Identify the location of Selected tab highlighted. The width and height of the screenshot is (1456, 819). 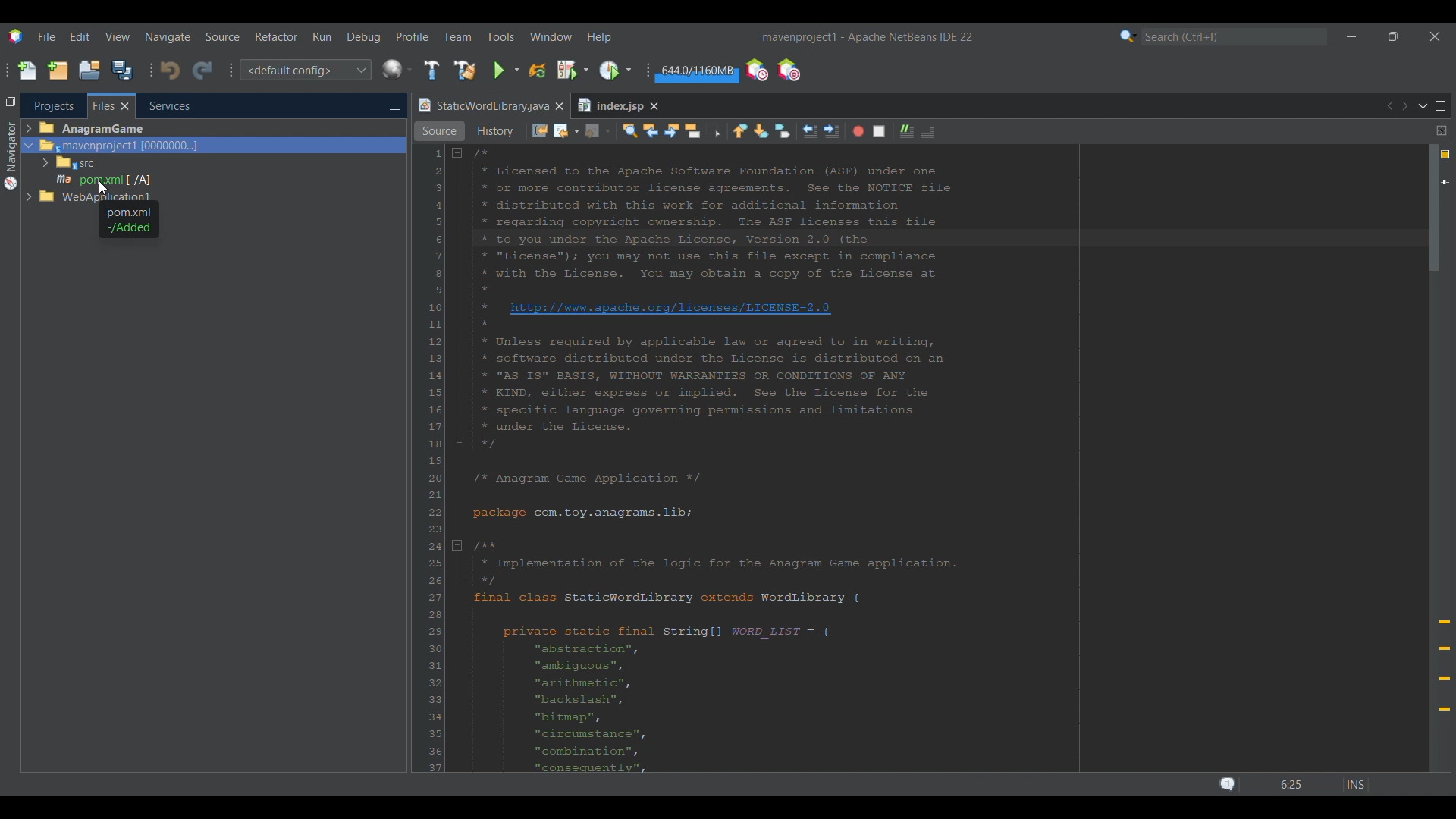
(281, 145).